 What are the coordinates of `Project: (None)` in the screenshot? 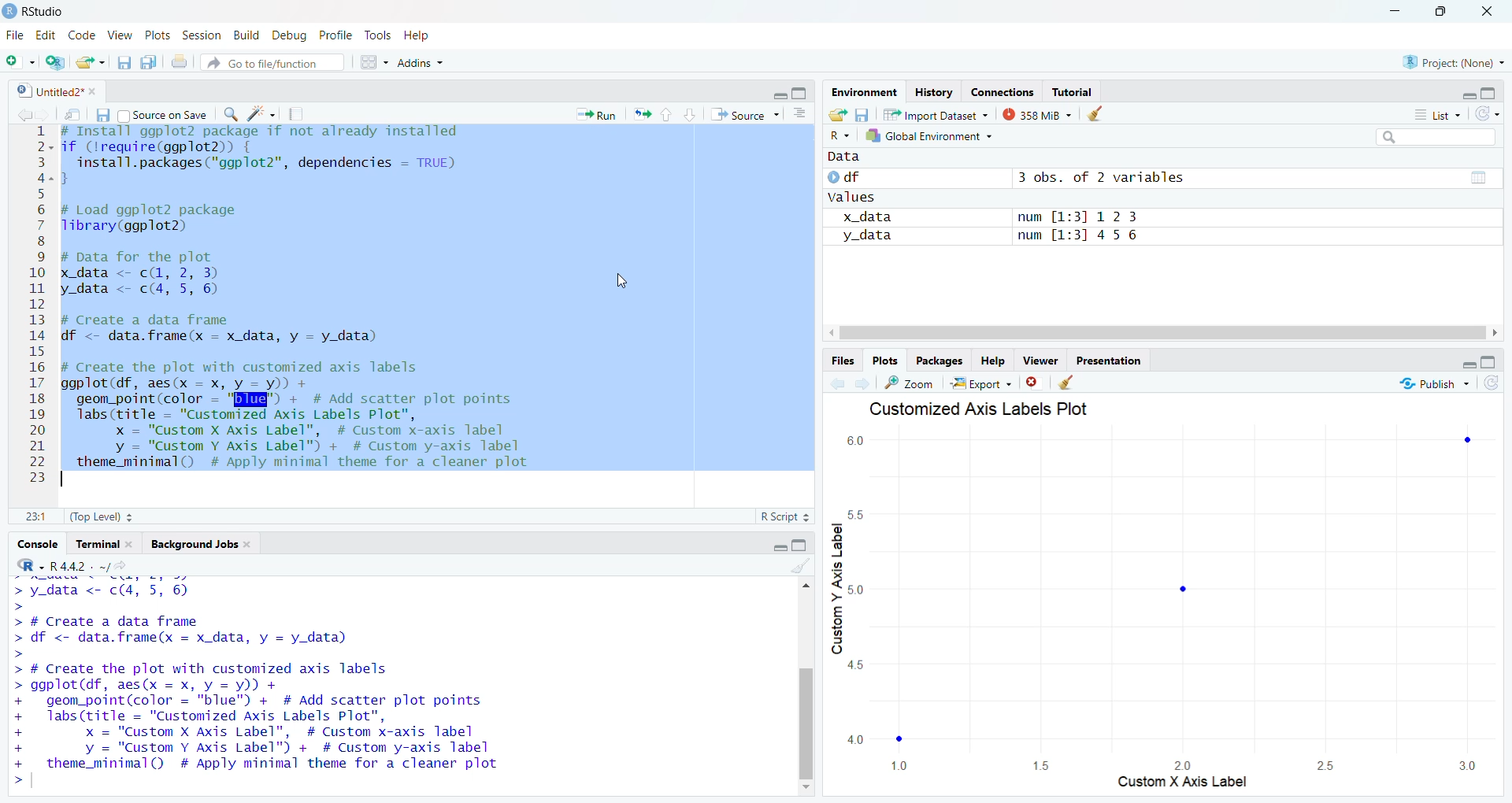 It's located at (1452, 62).